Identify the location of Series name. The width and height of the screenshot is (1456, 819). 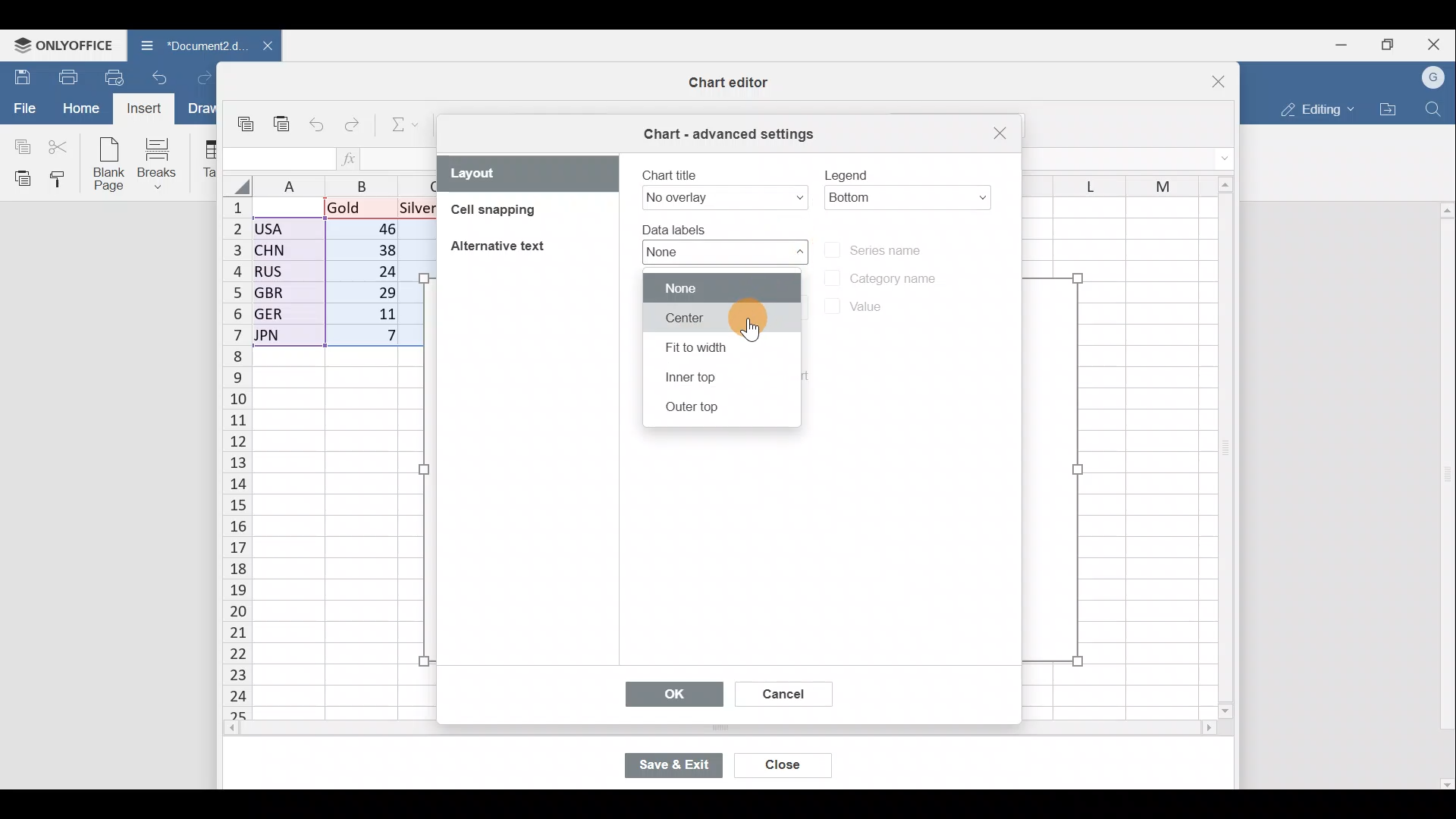
(893, 248).